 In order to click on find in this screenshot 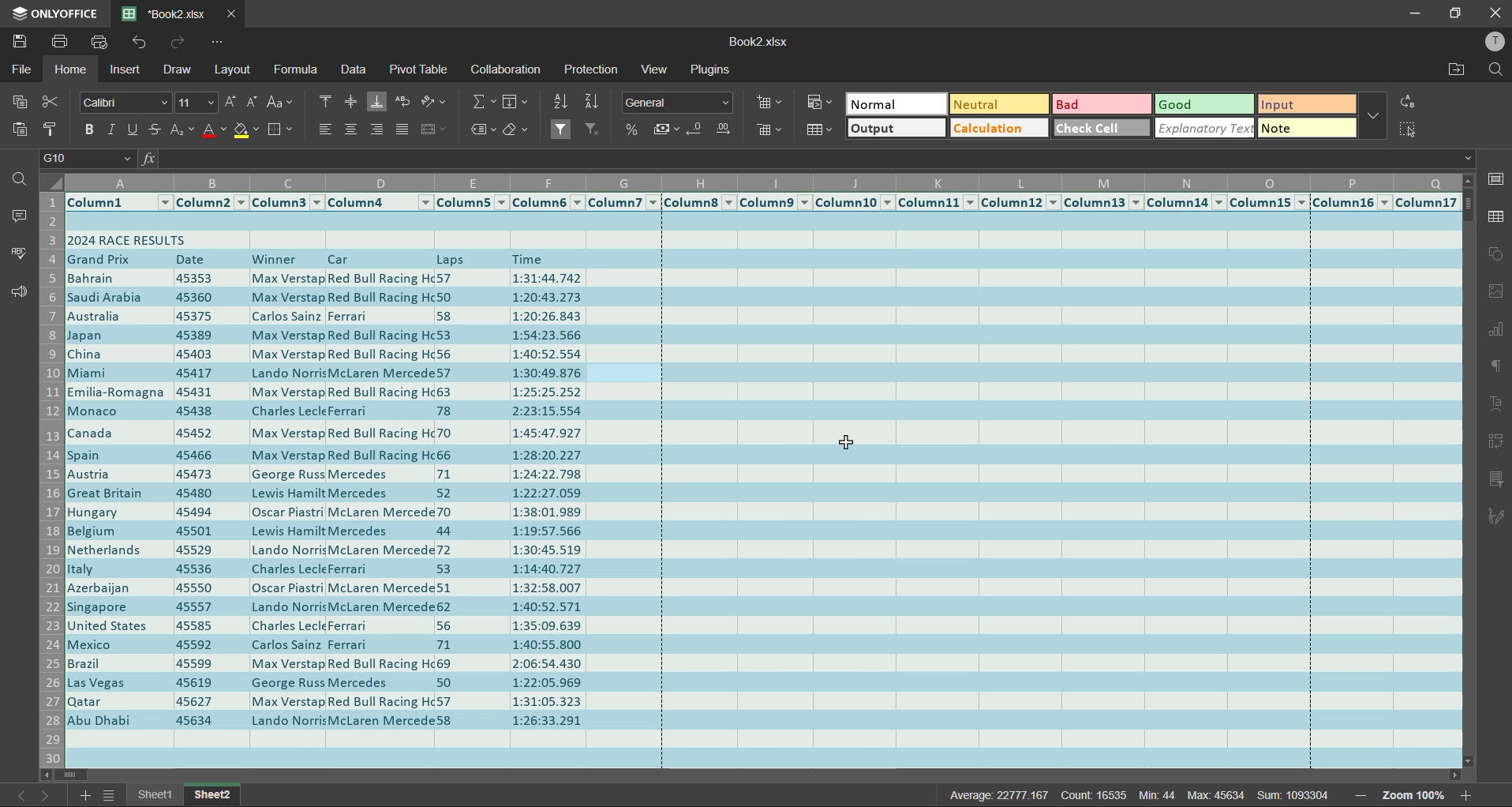, I will do `click(18, 180)`.